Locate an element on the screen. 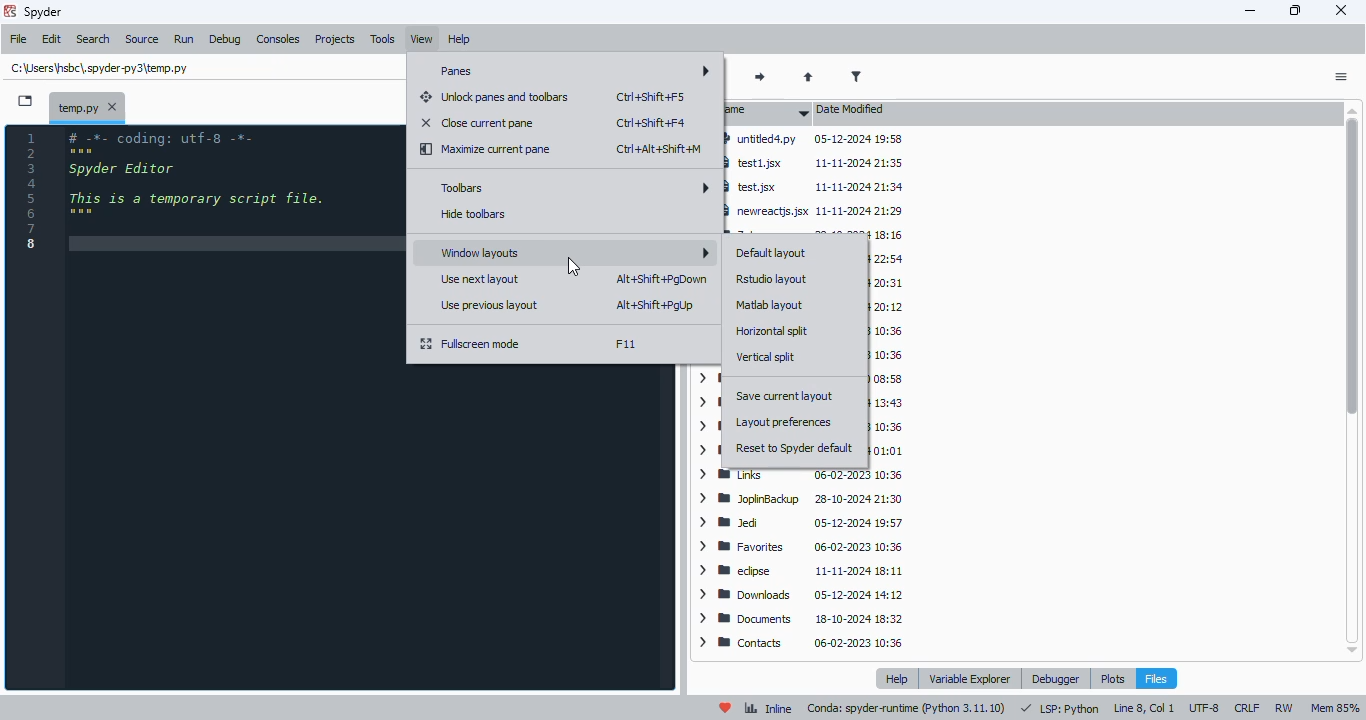  use next layout is located at coordinates (478, 280).